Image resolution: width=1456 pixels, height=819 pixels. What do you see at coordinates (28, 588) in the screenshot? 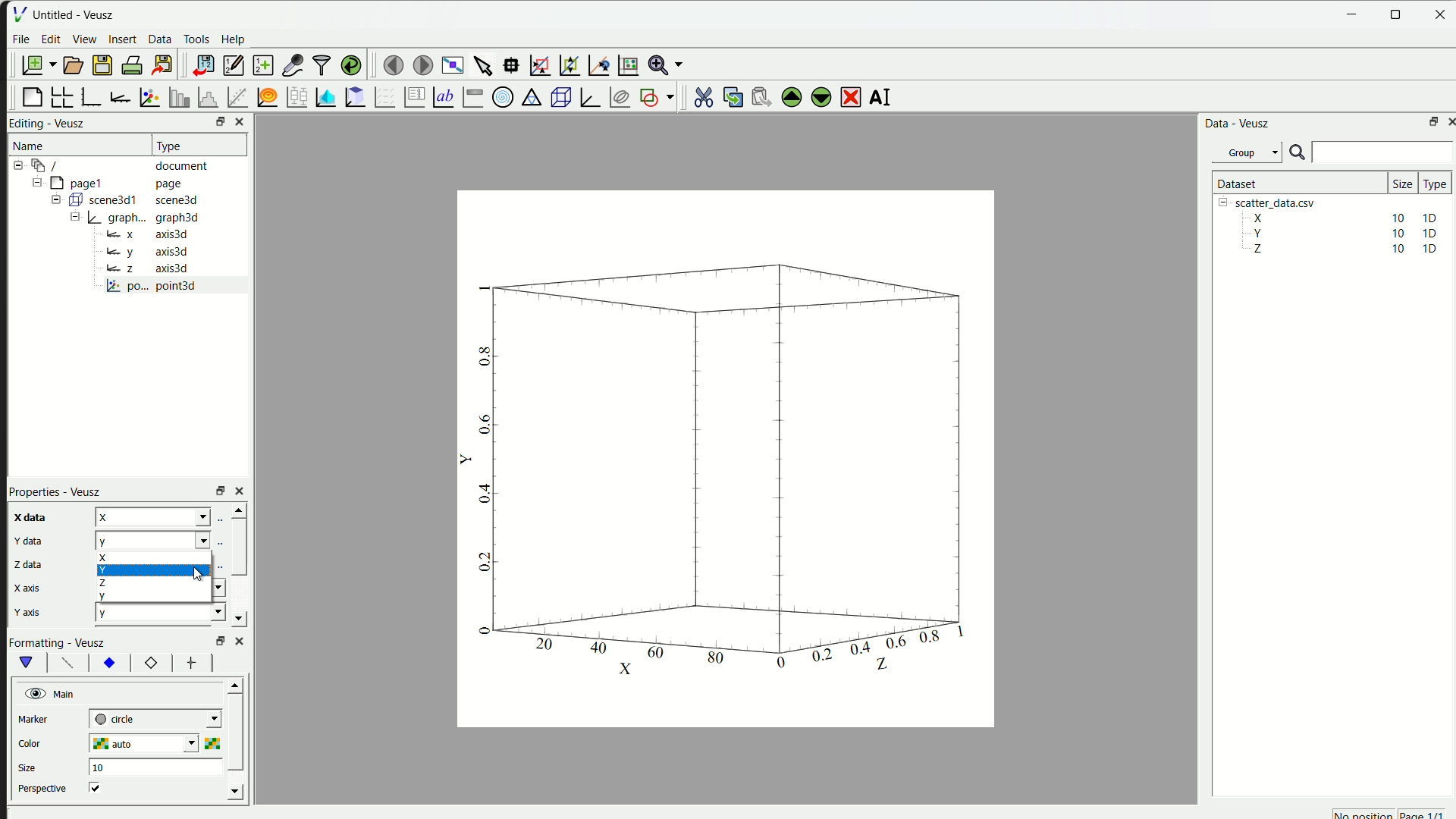
I see `x axis` at bounding box center [28, 588].